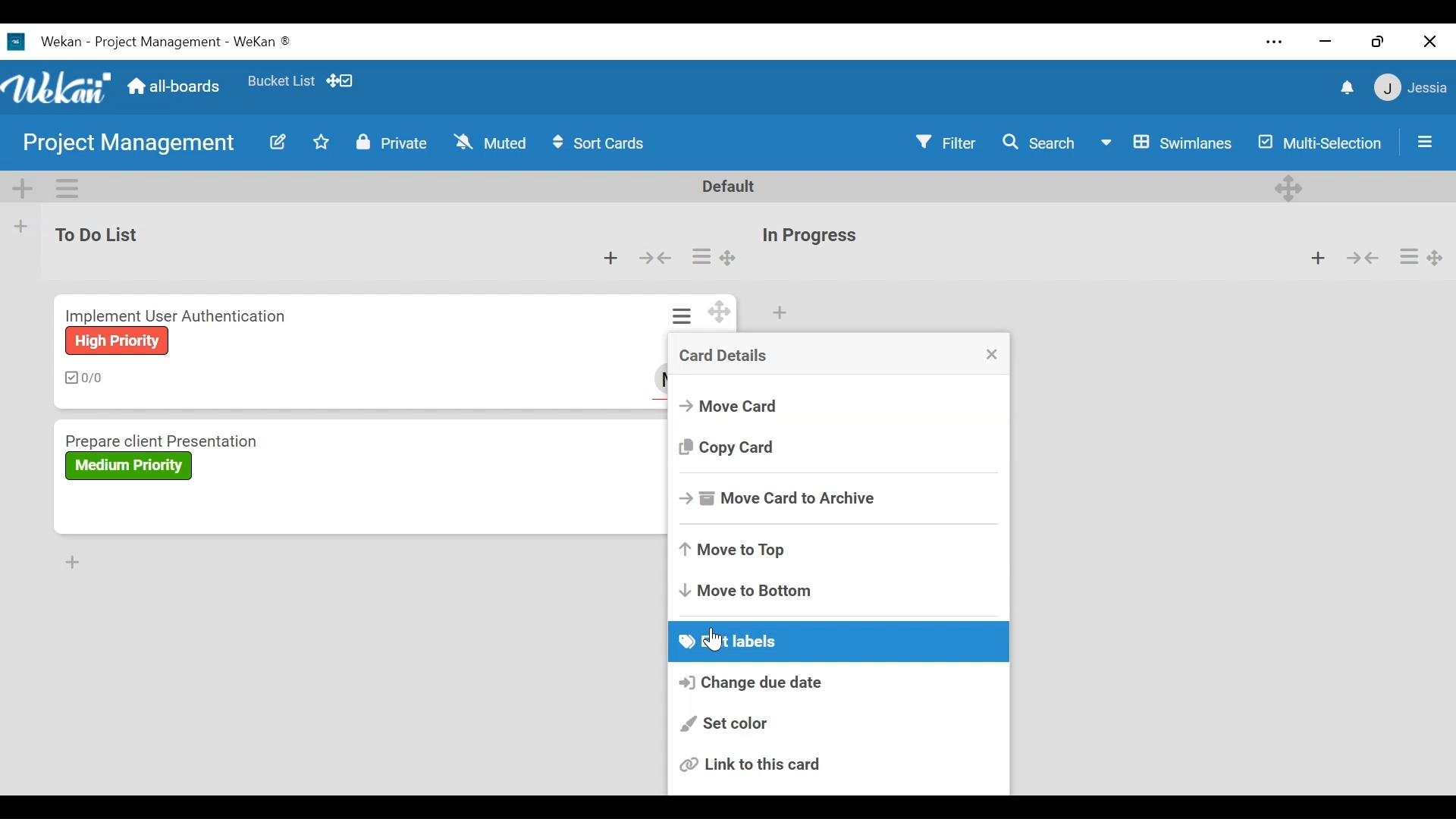  I want to click on all-boards, so click(180, 88).